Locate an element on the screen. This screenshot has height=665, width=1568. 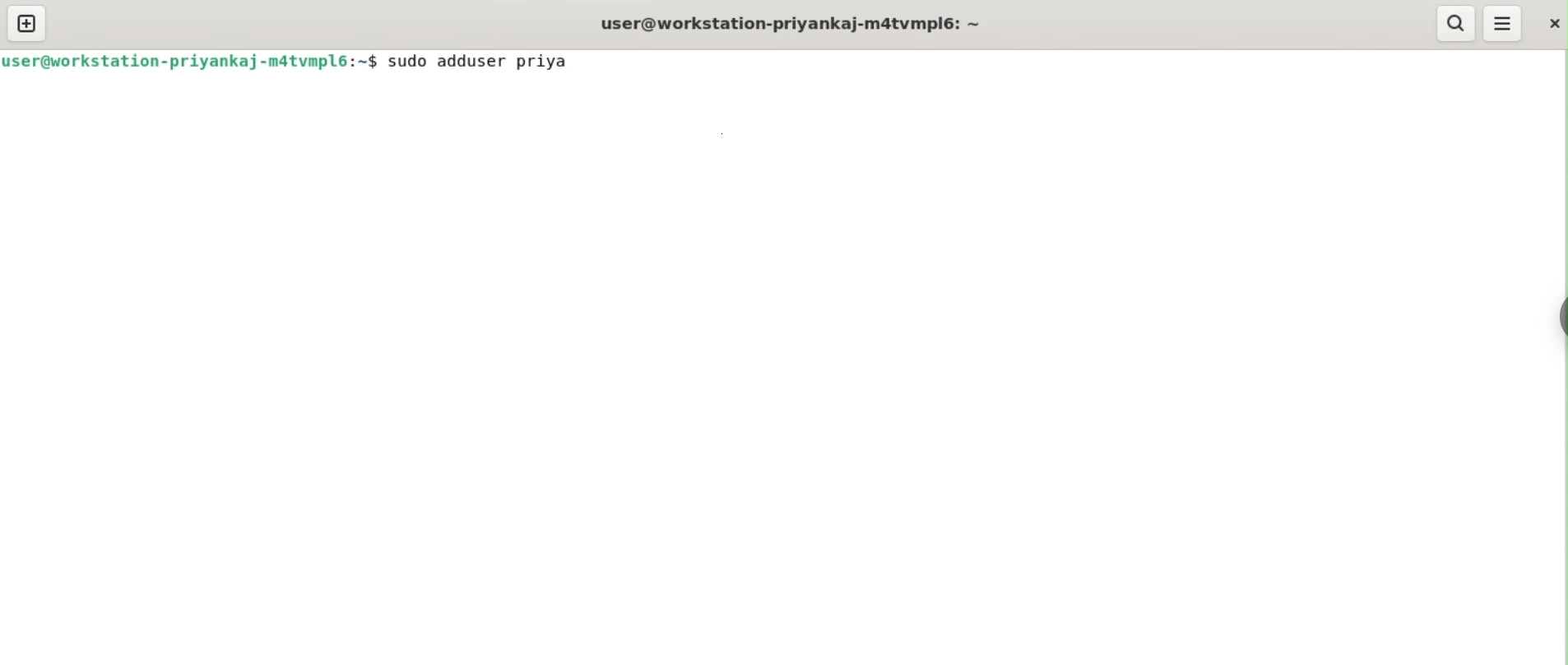
user@workstation-priyankaj-m4tvmpl6:~ is located at coordinates (787, 23).